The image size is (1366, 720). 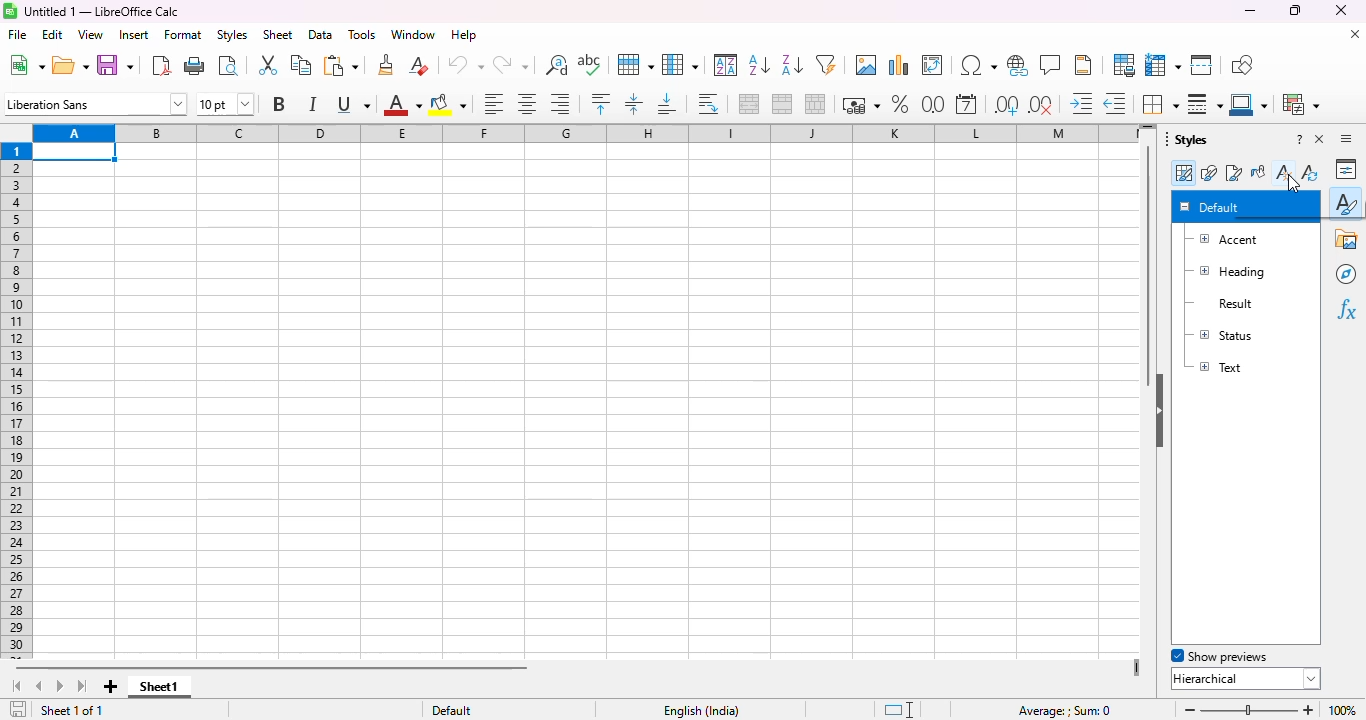 I want to click on merge cells, so click(x=782, y=104).